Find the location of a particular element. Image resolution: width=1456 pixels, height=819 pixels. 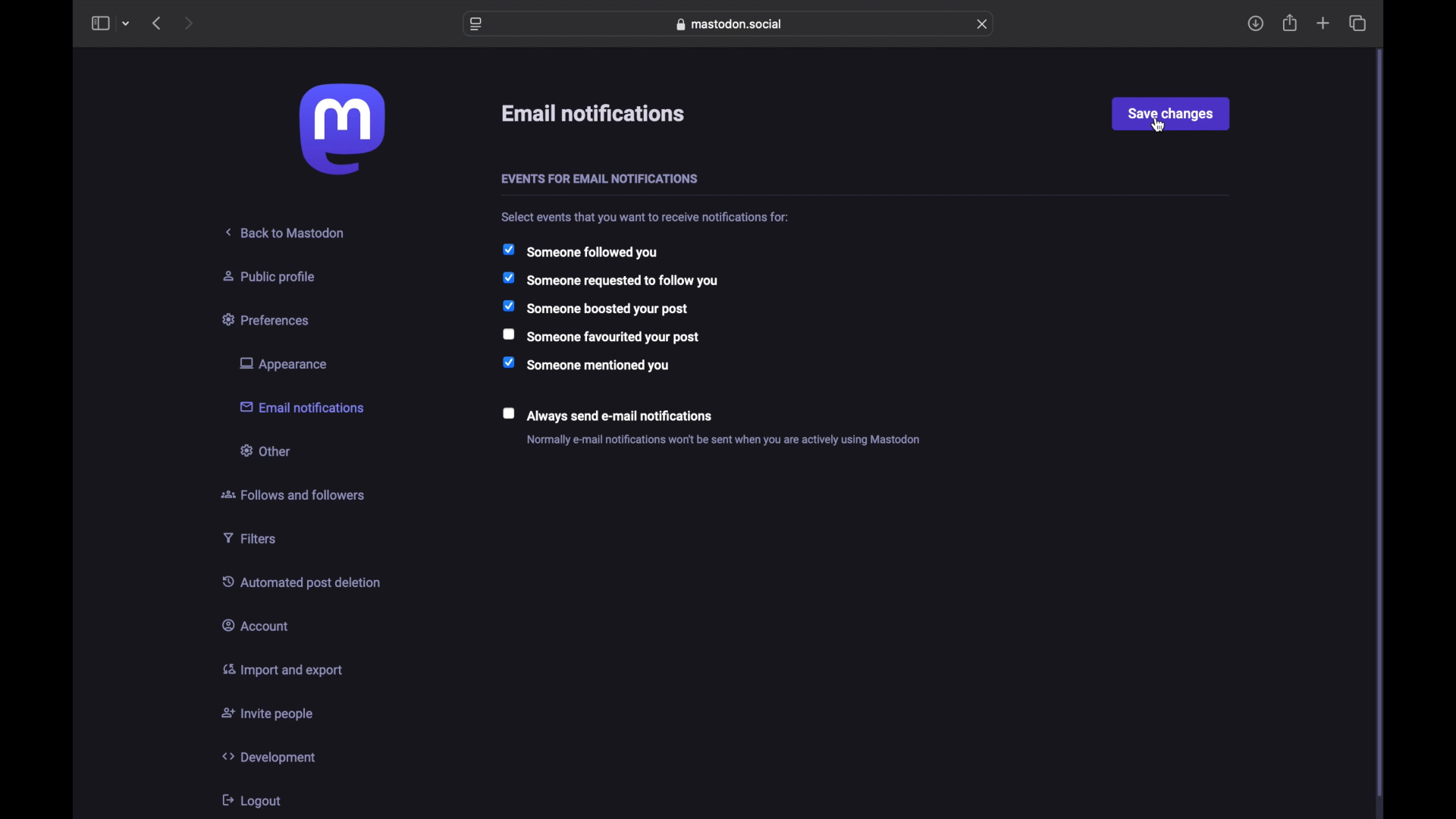

public profile is located at coordinates (269, 276).